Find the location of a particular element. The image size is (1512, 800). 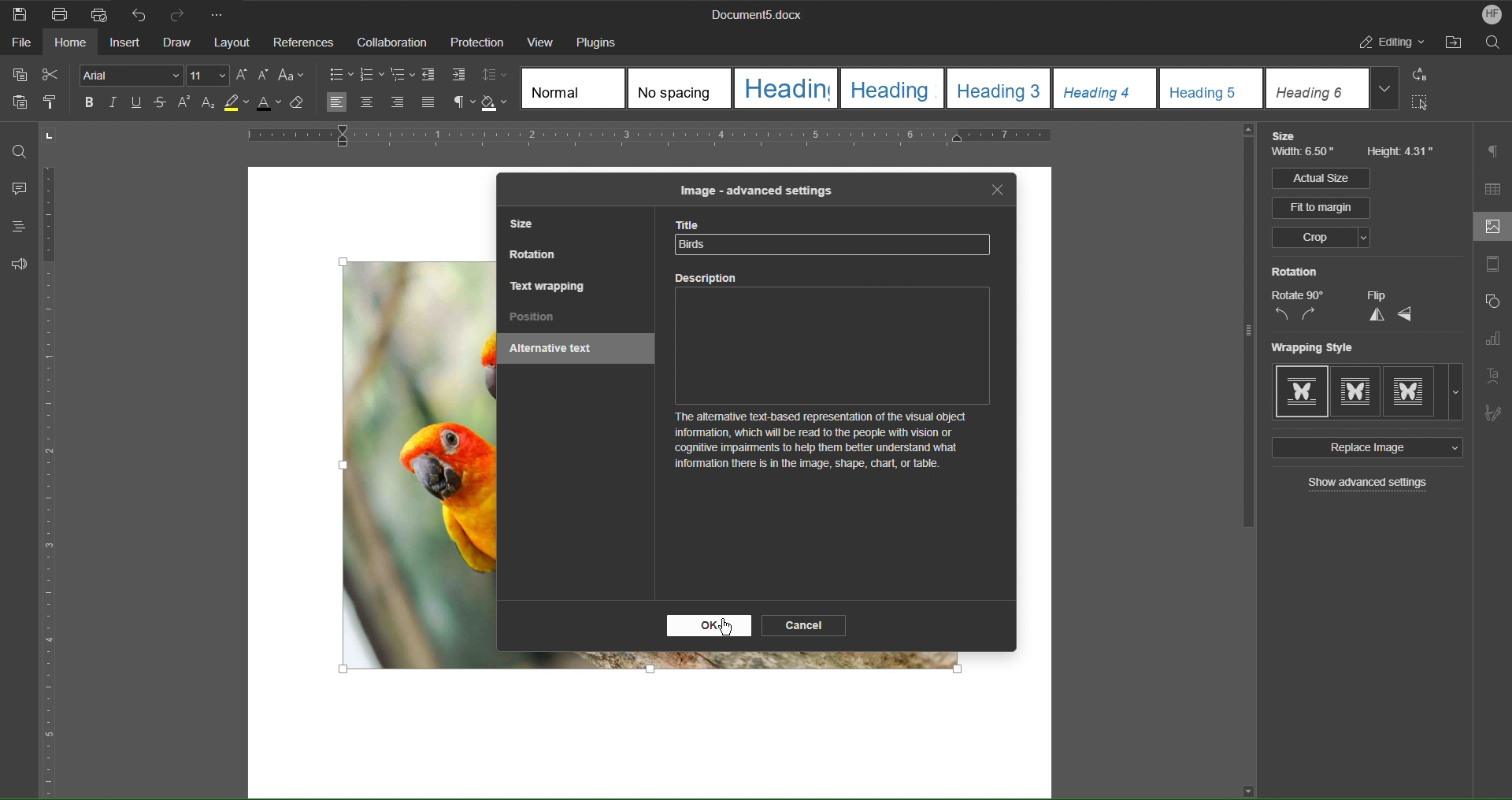

Find is located at coordinates (20, 151).